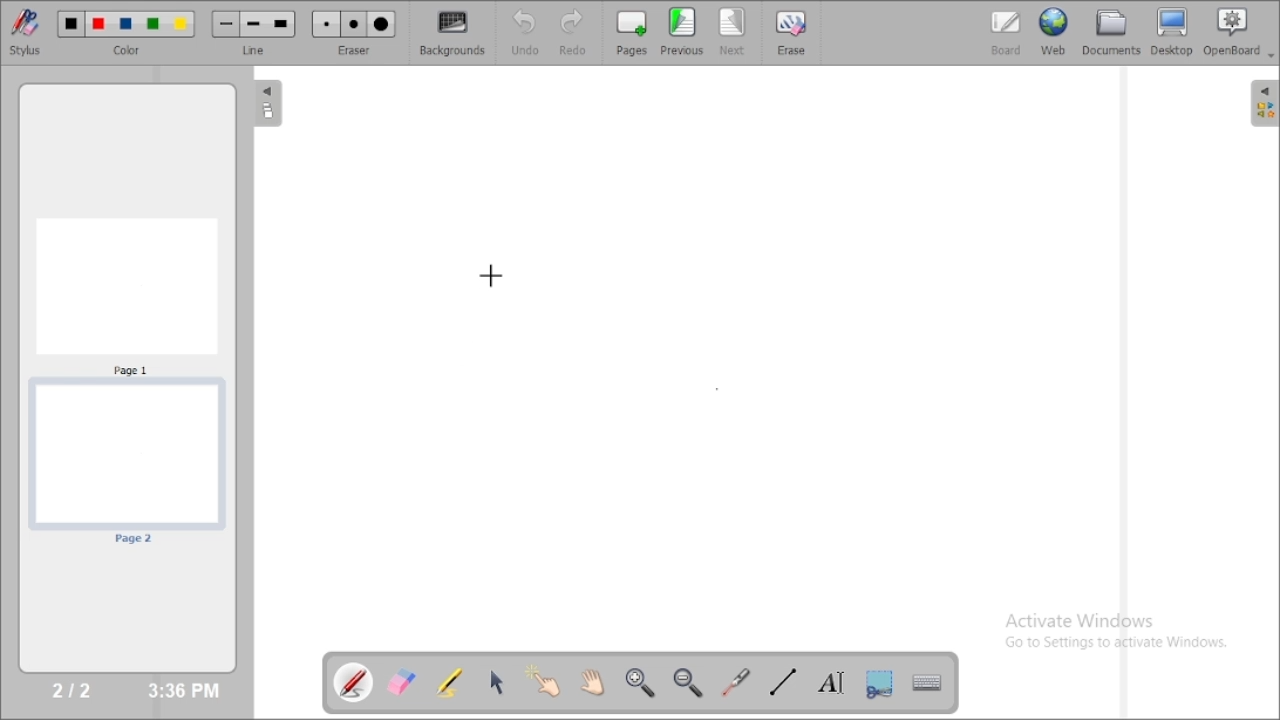 This screenshot has width=1280, height=720. I want to click on color, so click(130, 51).